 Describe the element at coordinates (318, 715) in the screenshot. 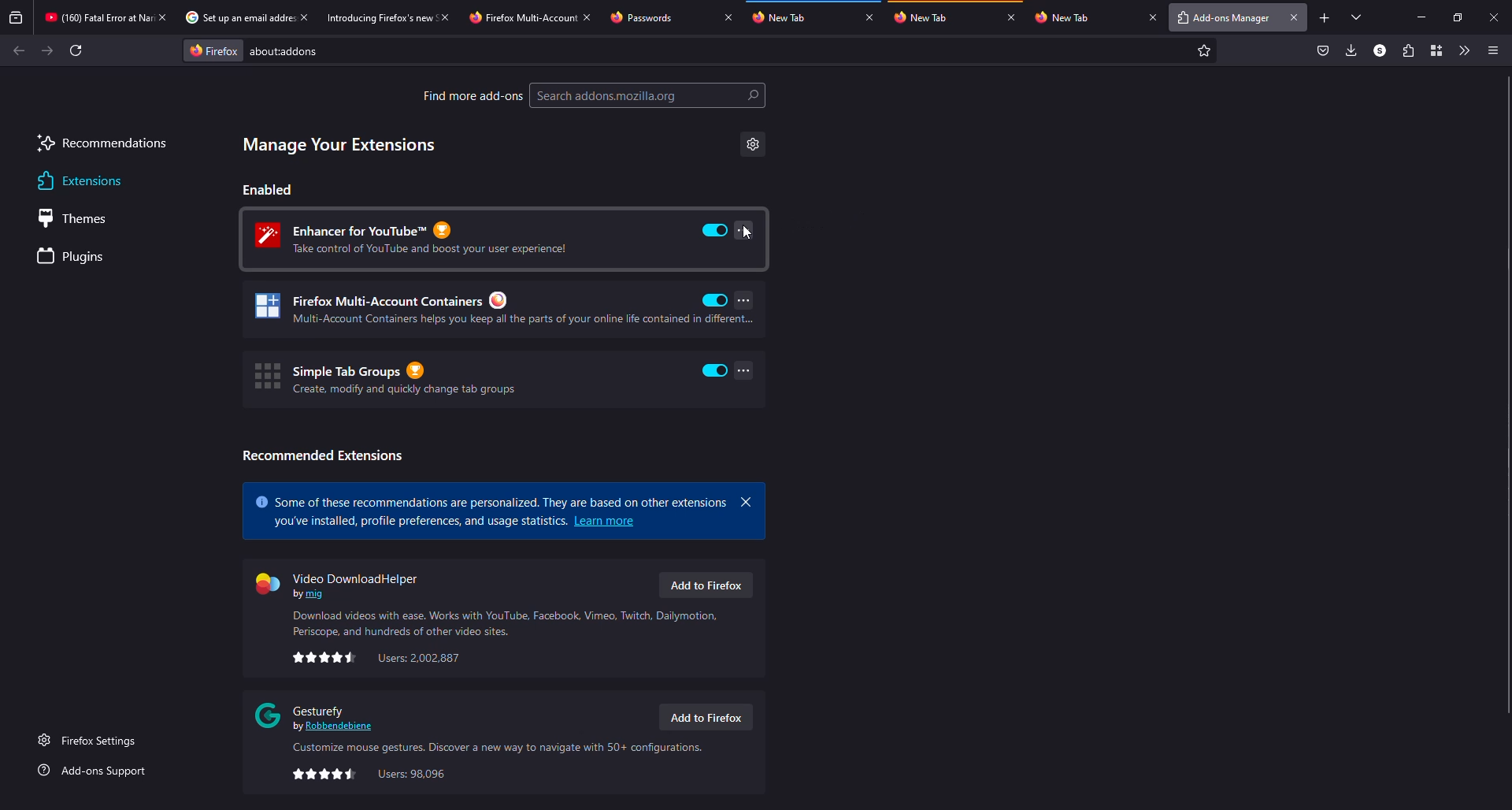

I see `gesturefy` at that location.